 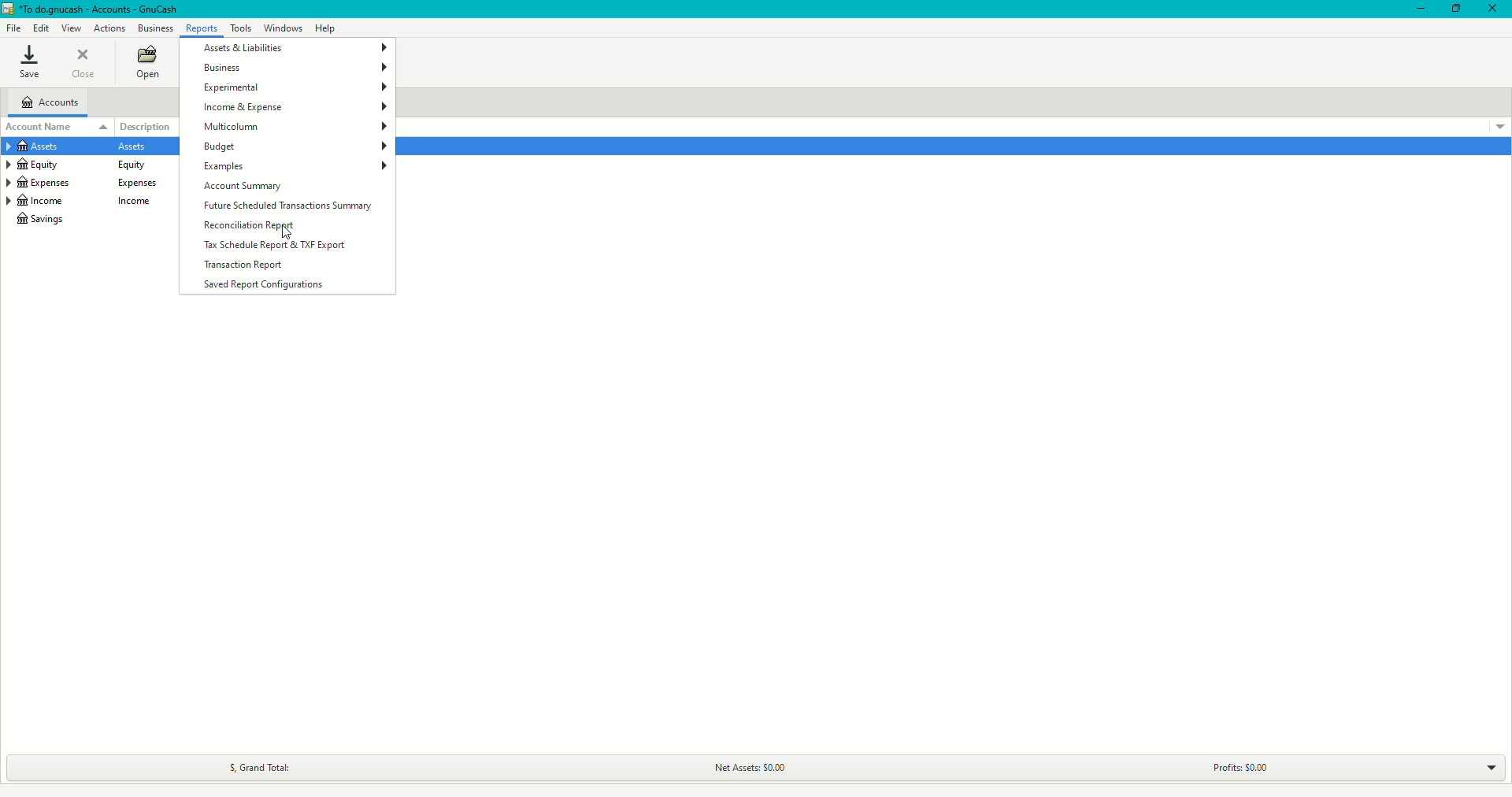 What do you see at coordinates (297, 128) in the screenshot?
I see `Multicolumn` at bounding box center [297, 128].